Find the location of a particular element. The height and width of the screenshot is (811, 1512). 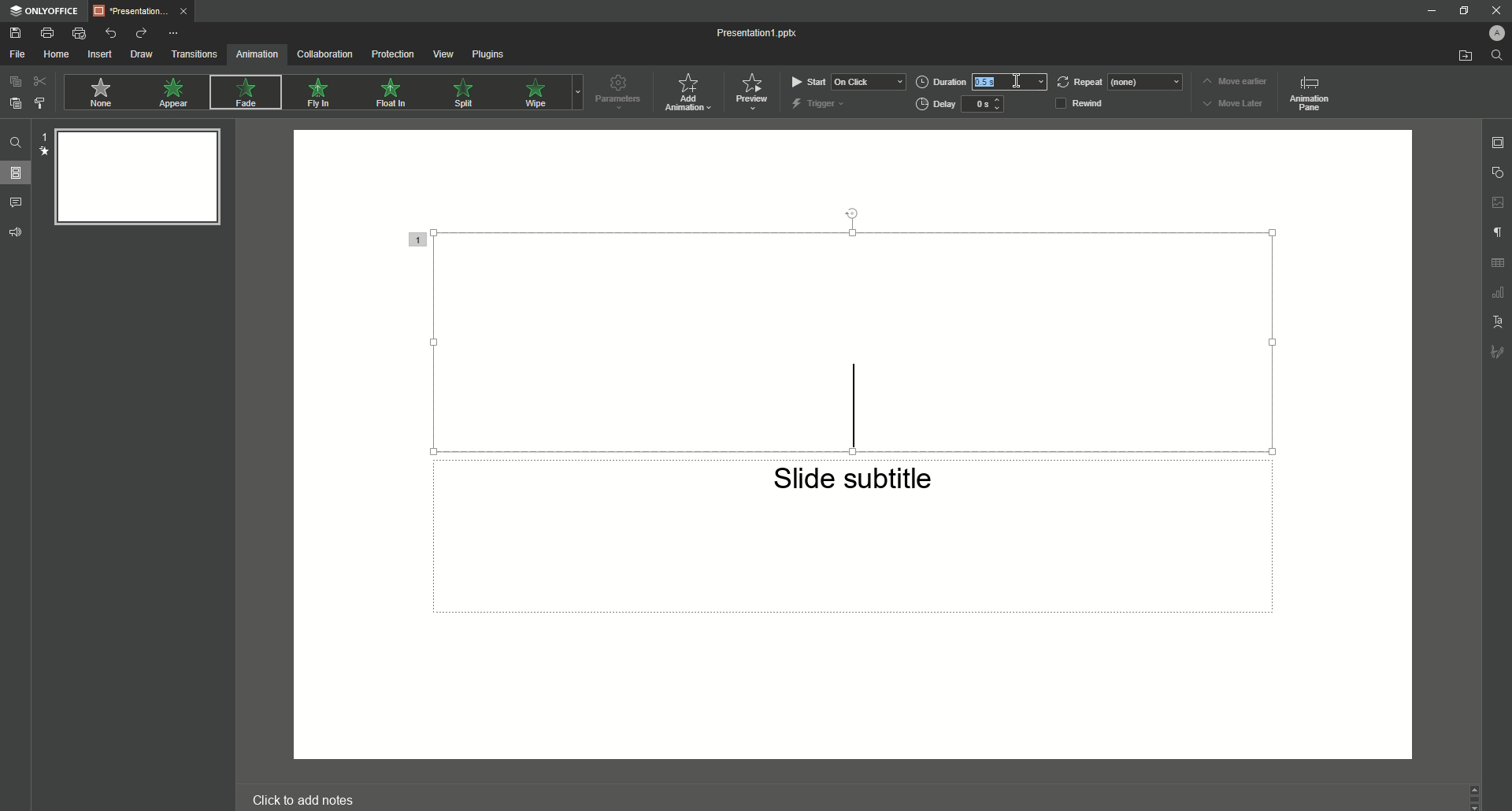

Cut is located at coordinates (41, 81).